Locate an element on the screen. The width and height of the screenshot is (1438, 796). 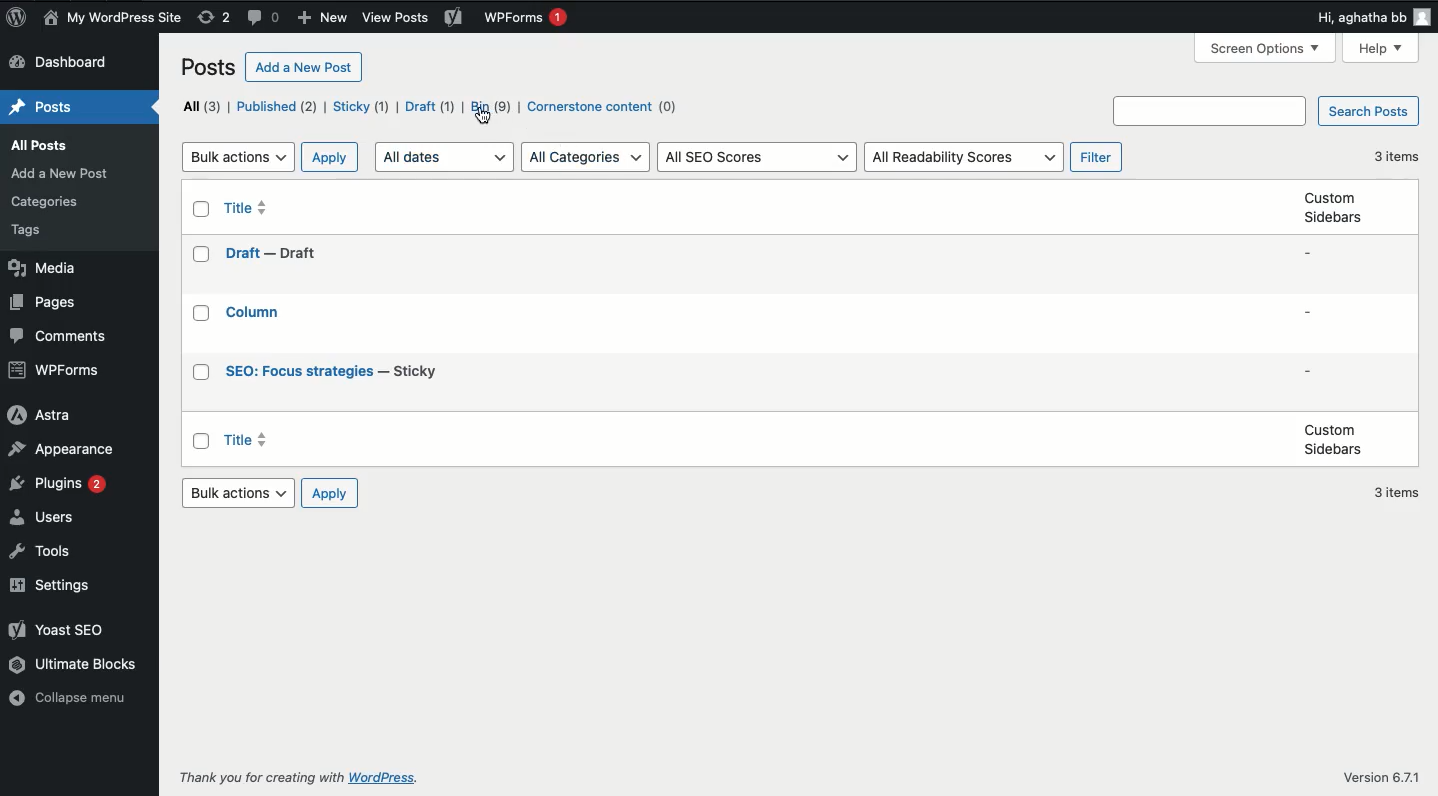
All SEO scores is located at coordinates (758, 156).